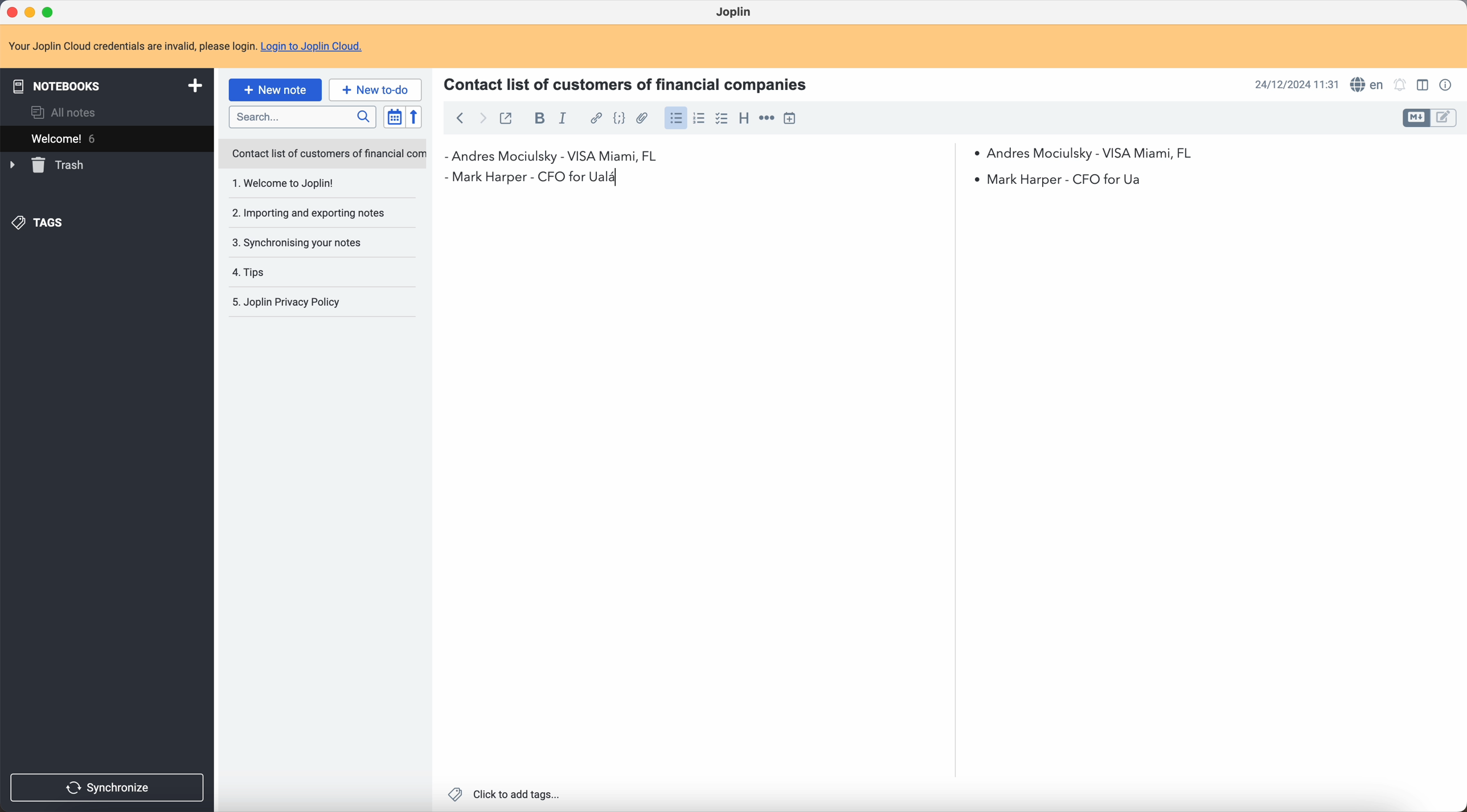 This screenshot has height=812, width=1467. Describe the element at coordinates (51, 10) in the screenshot. I see `maximize` at that location.